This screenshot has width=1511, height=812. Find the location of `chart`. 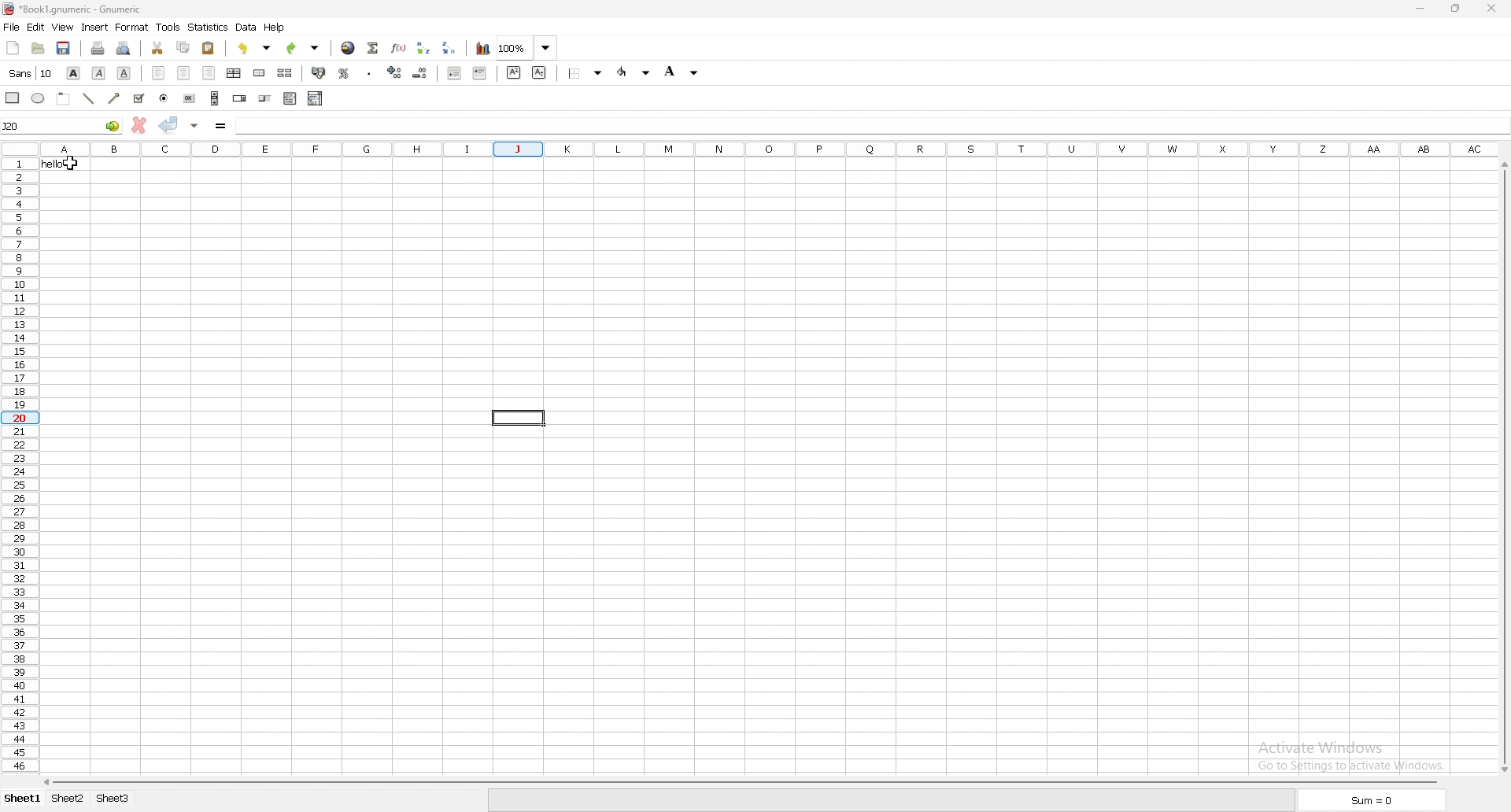

chart is located at coordinates (483, 48).